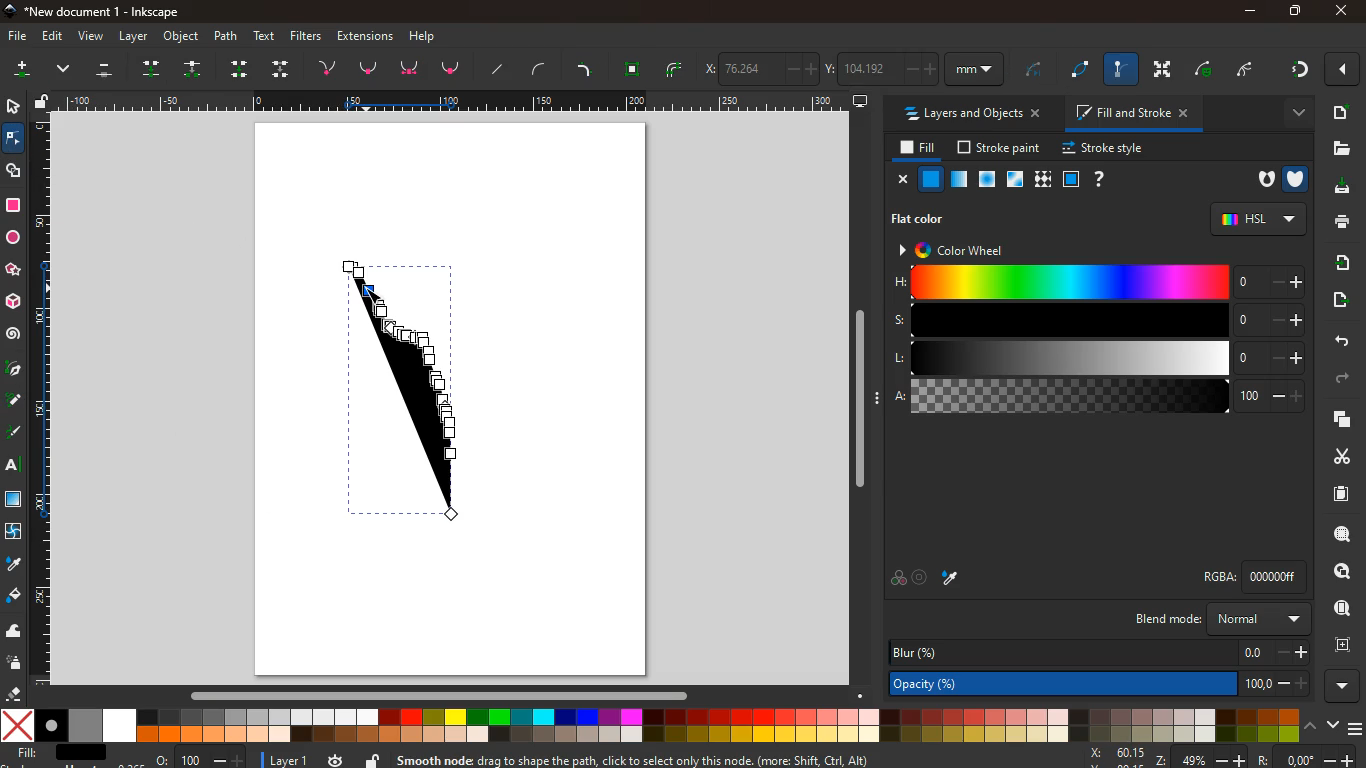 This screenshot has height=768, width=1366. I want to click on view, so click(90, 37).